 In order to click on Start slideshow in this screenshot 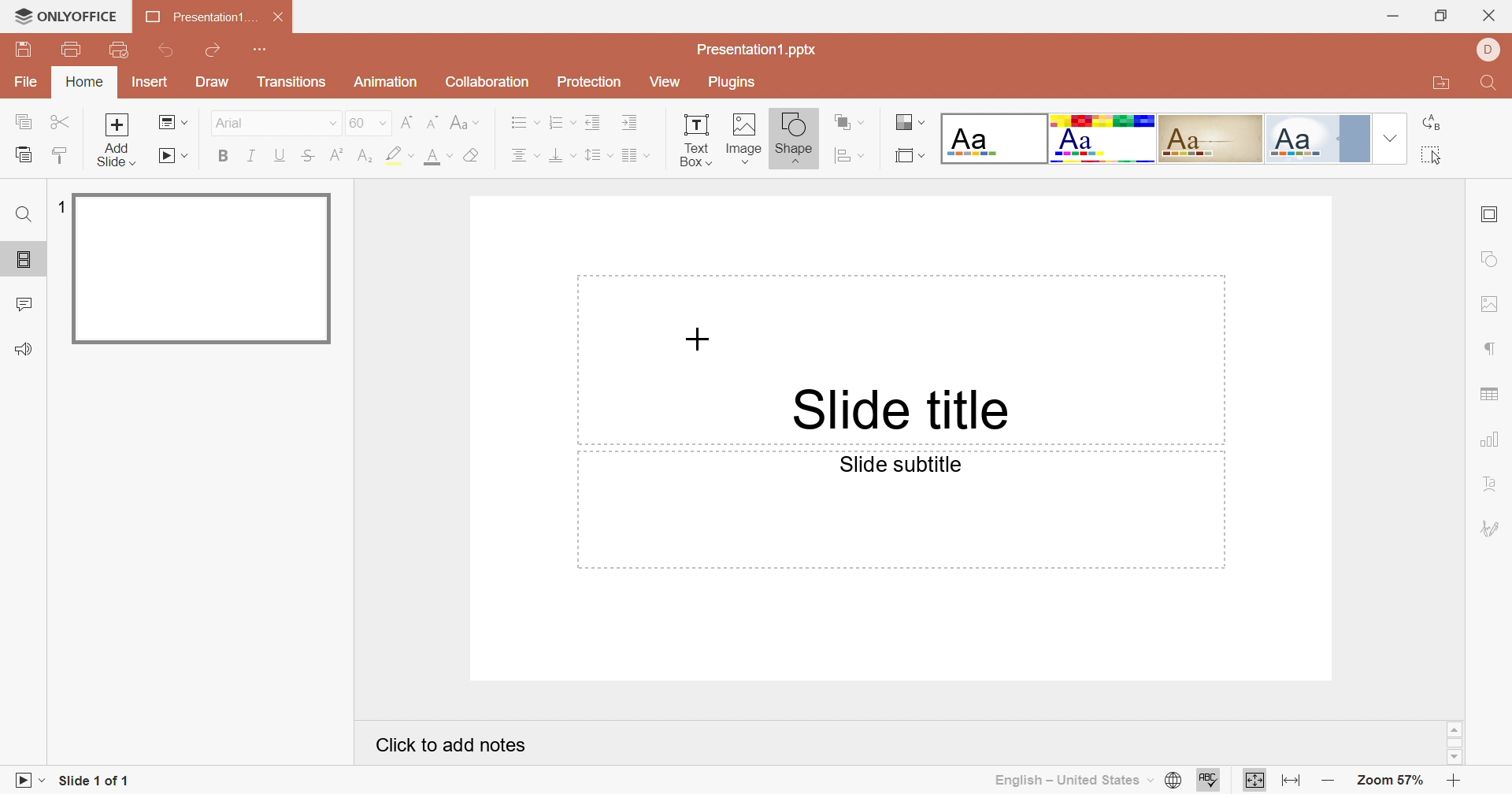, I will do `click(23, 781)`.